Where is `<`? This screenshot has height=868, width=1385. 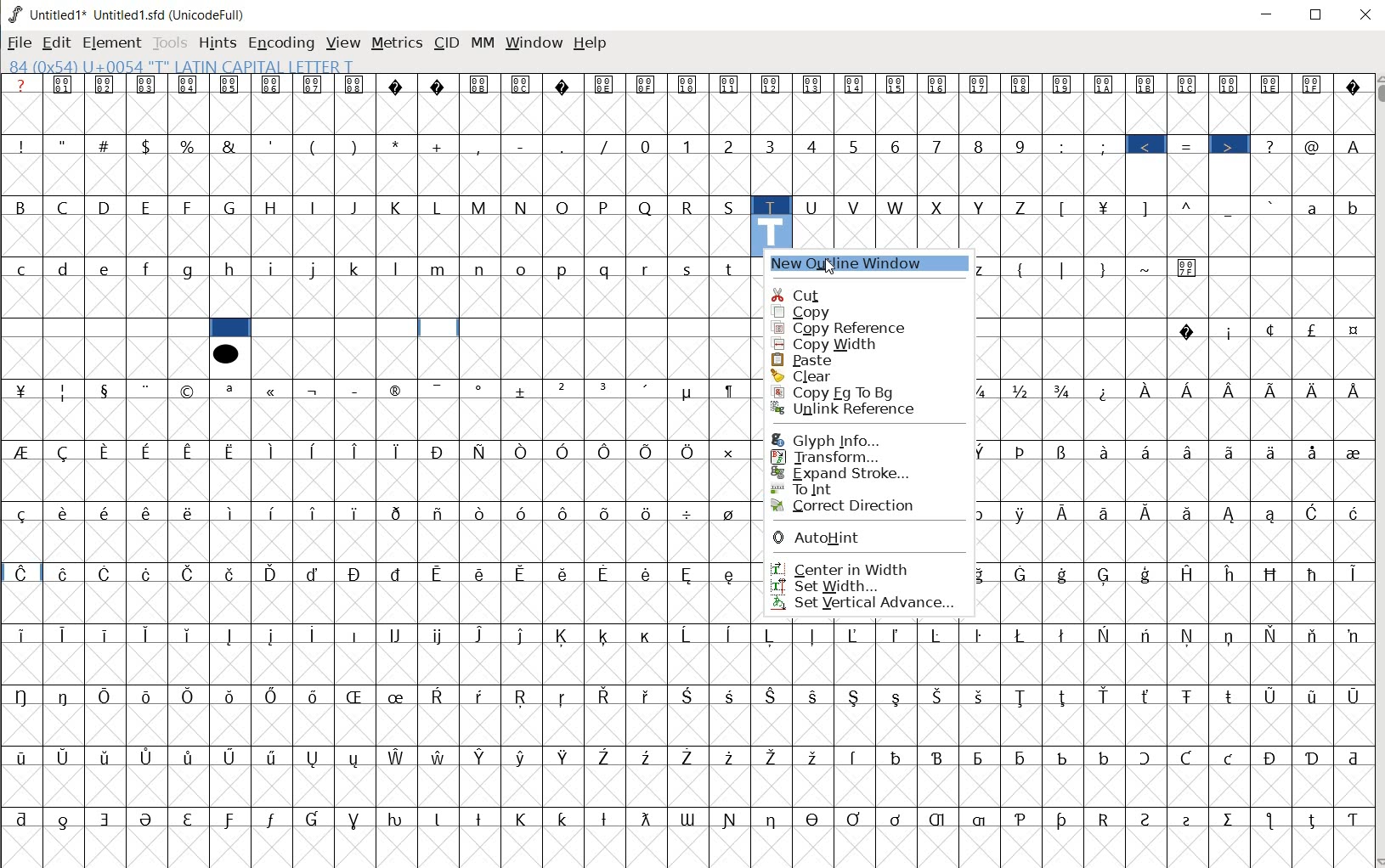
< is located at coordinates (1149, 146).